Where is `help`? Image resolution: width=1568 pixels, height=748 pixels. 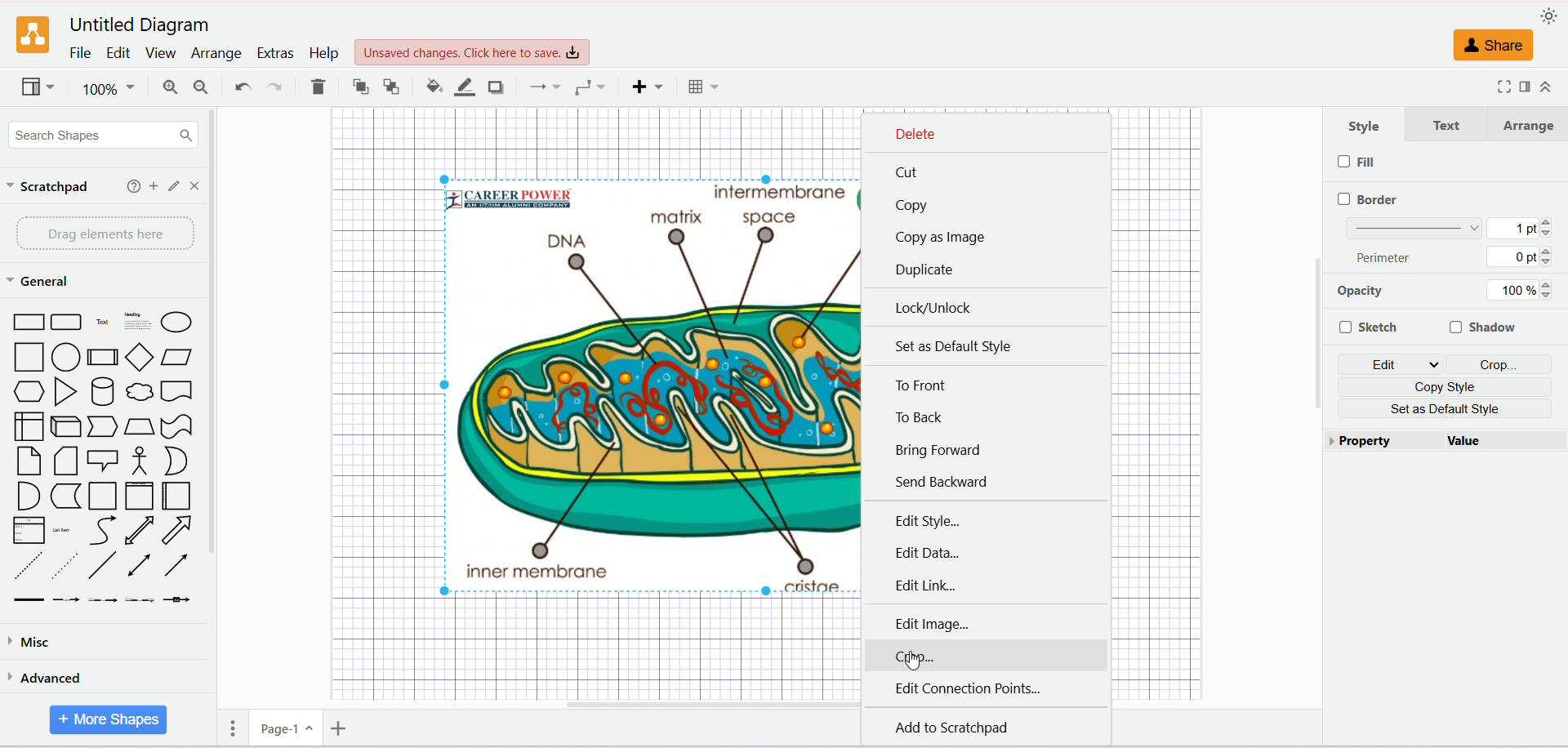
help is located at coordinates (131, 185).